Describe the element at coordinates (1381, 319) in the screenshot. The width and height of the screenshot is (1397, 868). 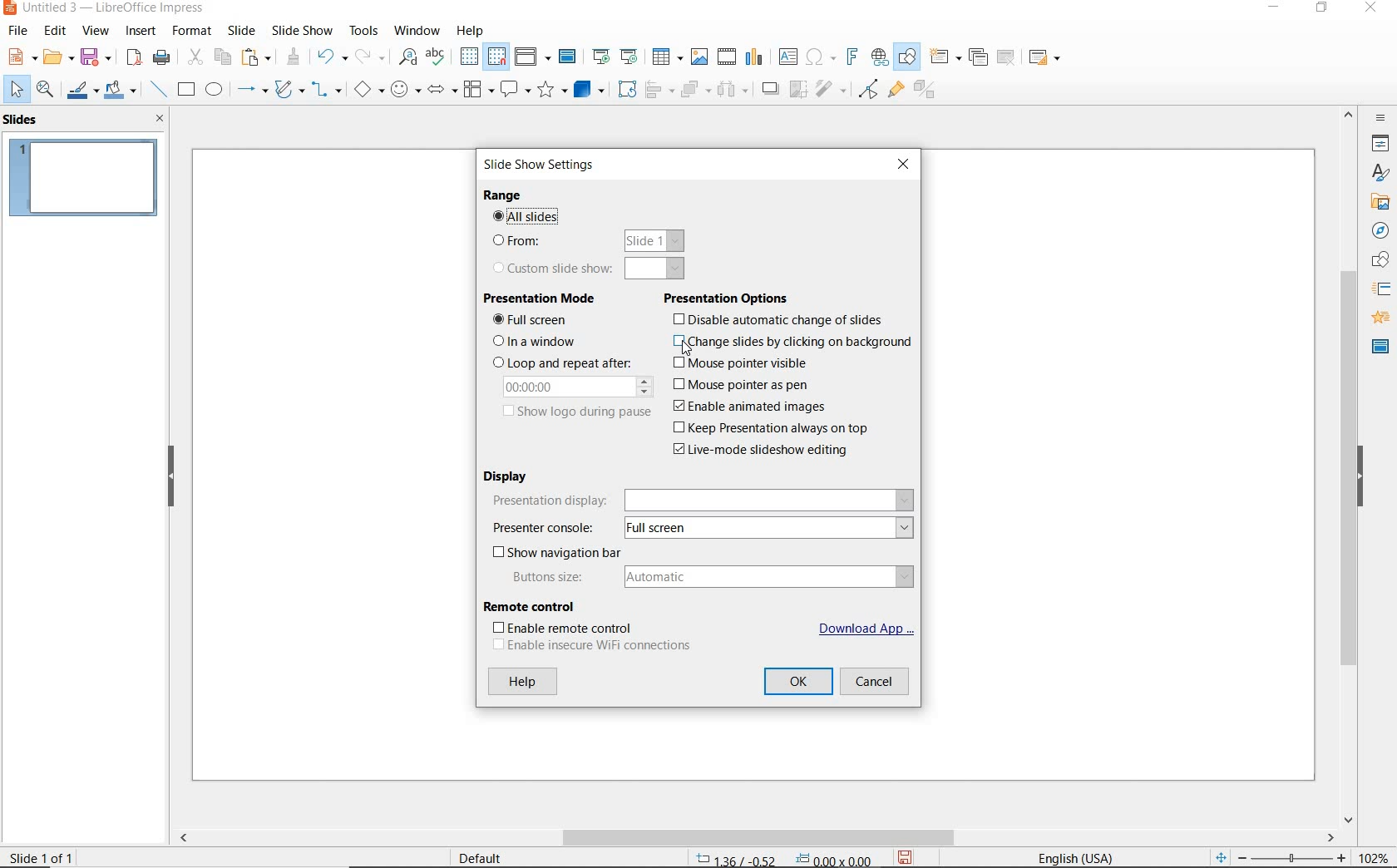
I see `ANIMATION` at that location.